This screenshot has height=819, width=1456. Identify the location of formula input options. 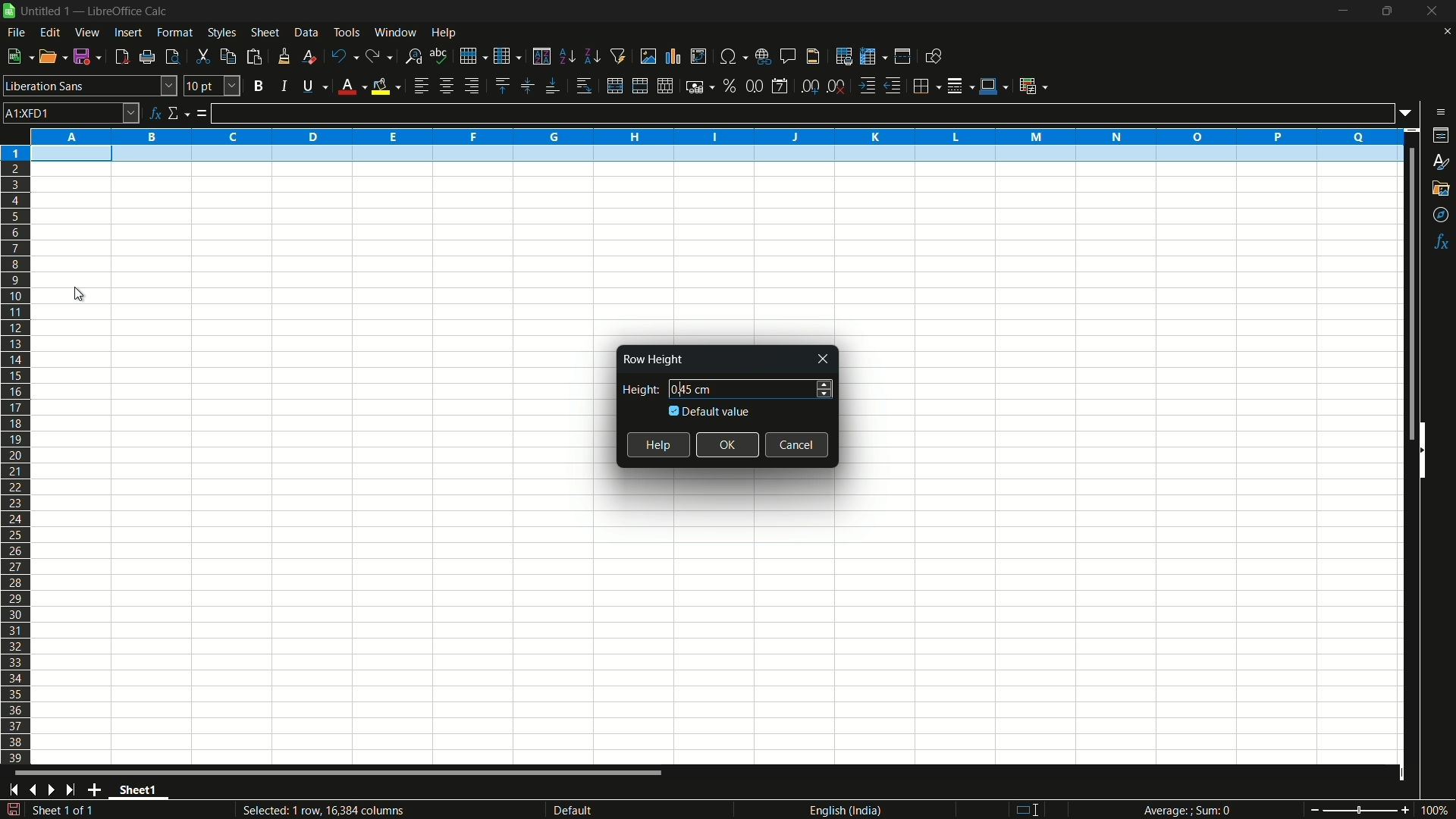
(1410, 112).